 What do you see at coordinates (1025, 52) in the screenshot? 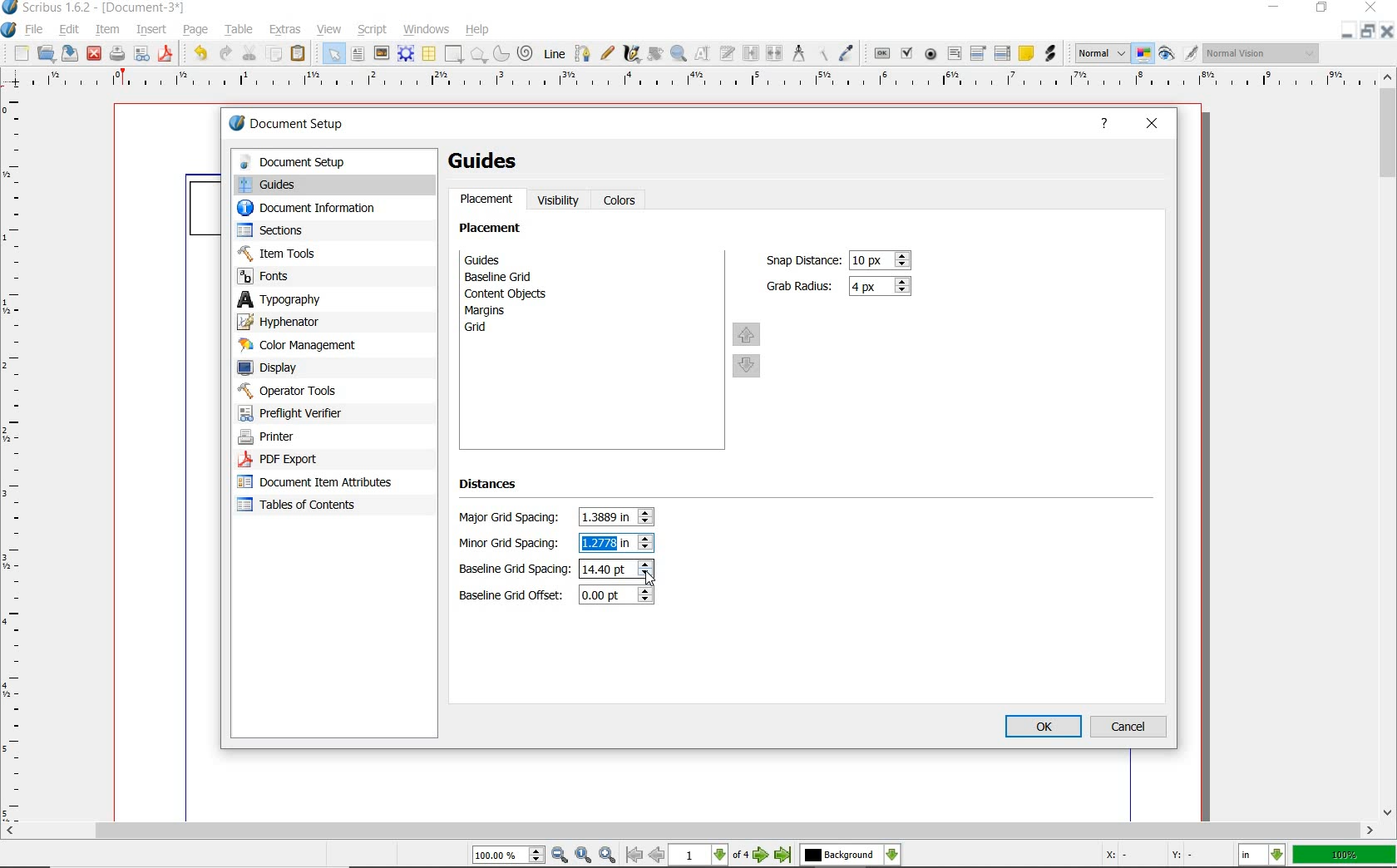
I see `text annotation` at bounding box center [1025, 52].